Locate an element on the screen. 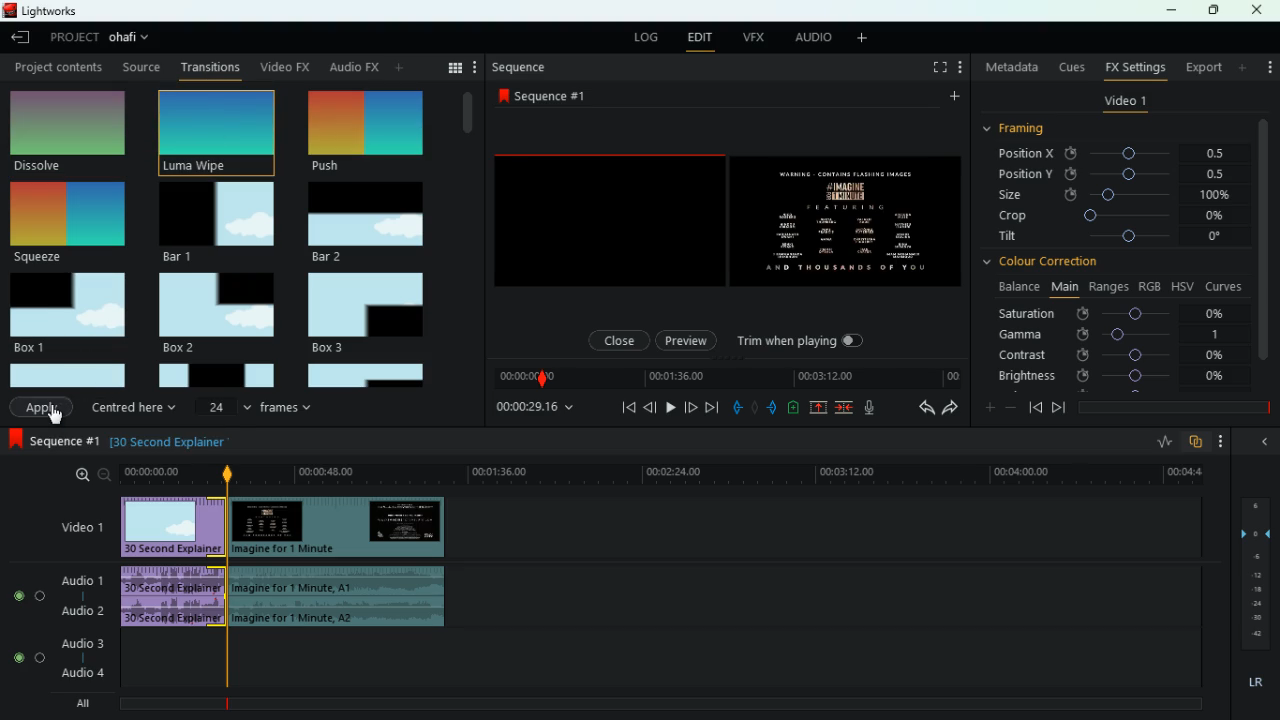 The image size is (1280, 720). curves is located at coordinates (1226, 285).